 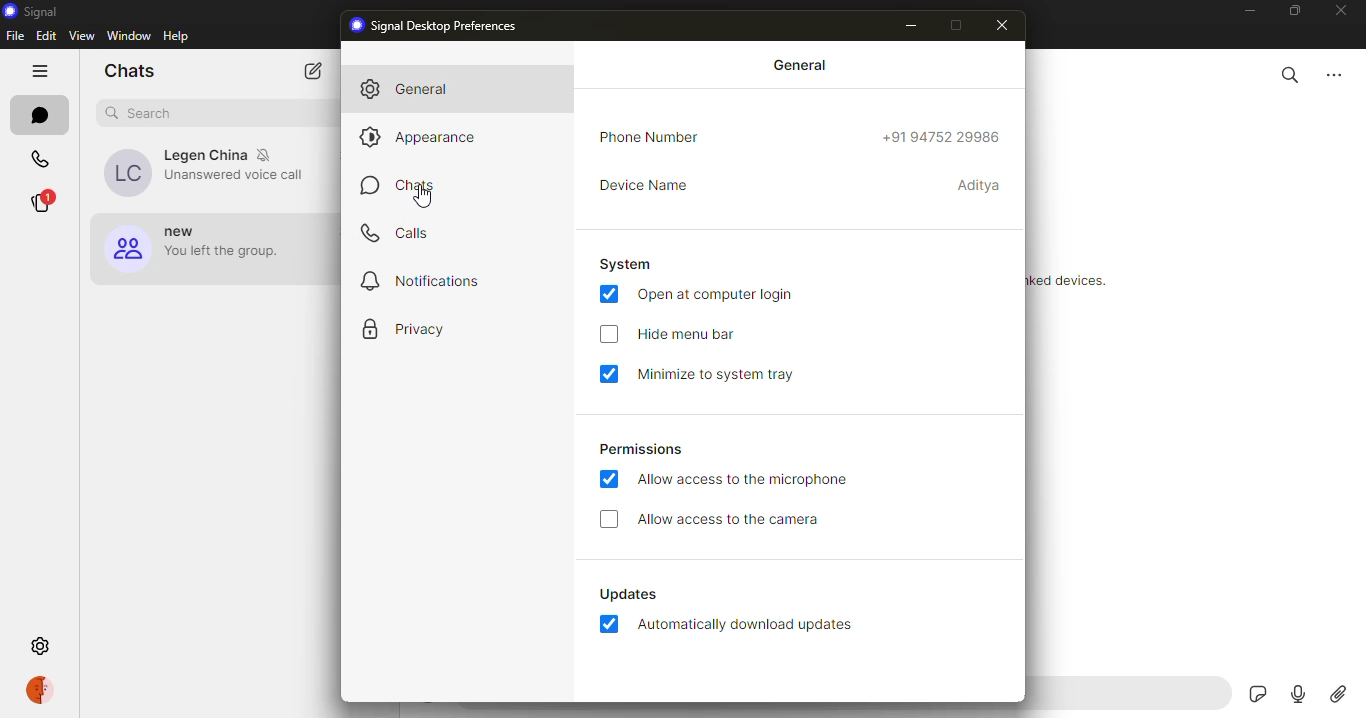 What do you see at coordinates (1249, 12) in the screenshot?
I see `minimize` at bounding box center [1249, 12].